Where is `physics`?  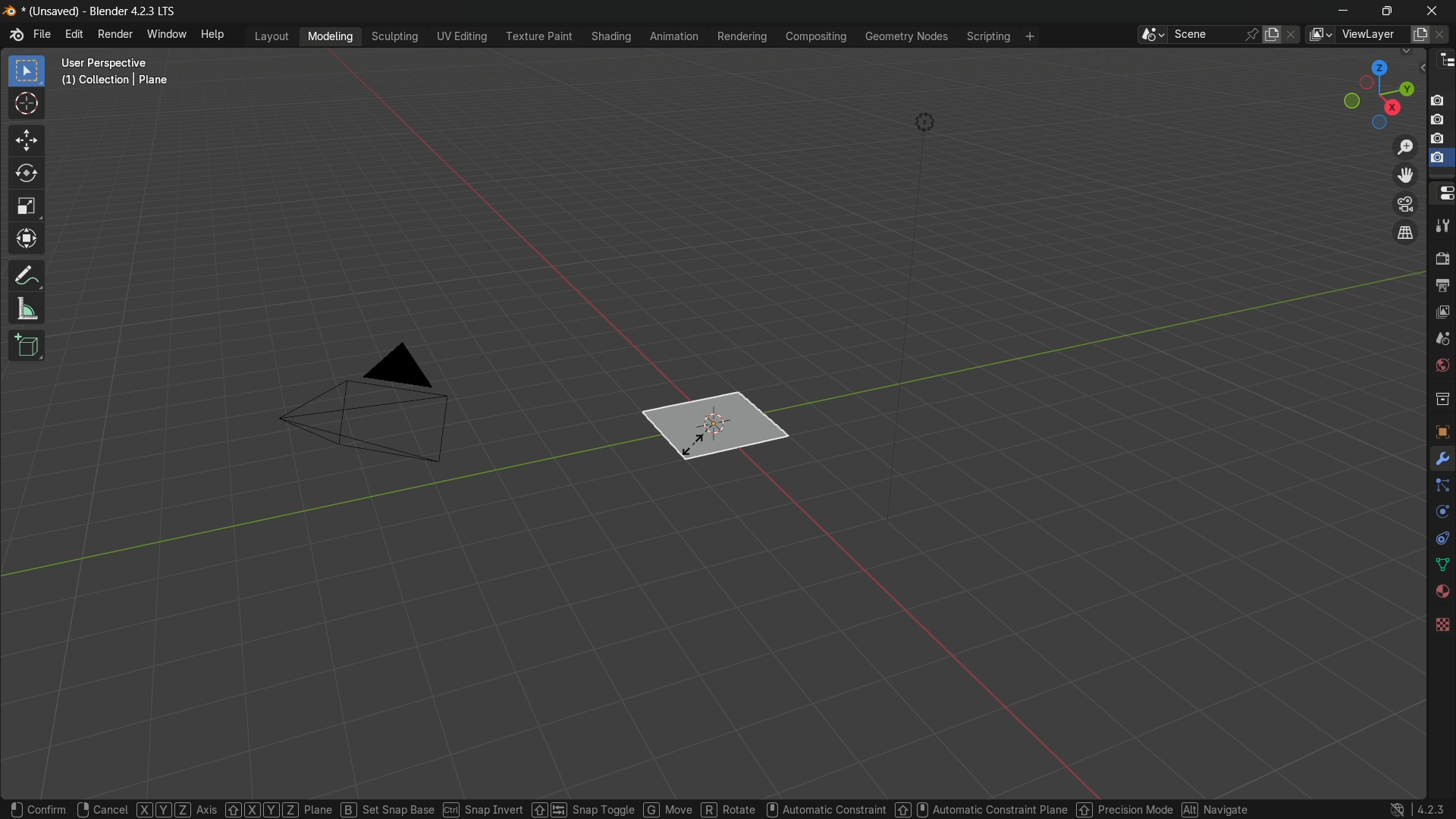 physics is located at coordinates (1441, 513).